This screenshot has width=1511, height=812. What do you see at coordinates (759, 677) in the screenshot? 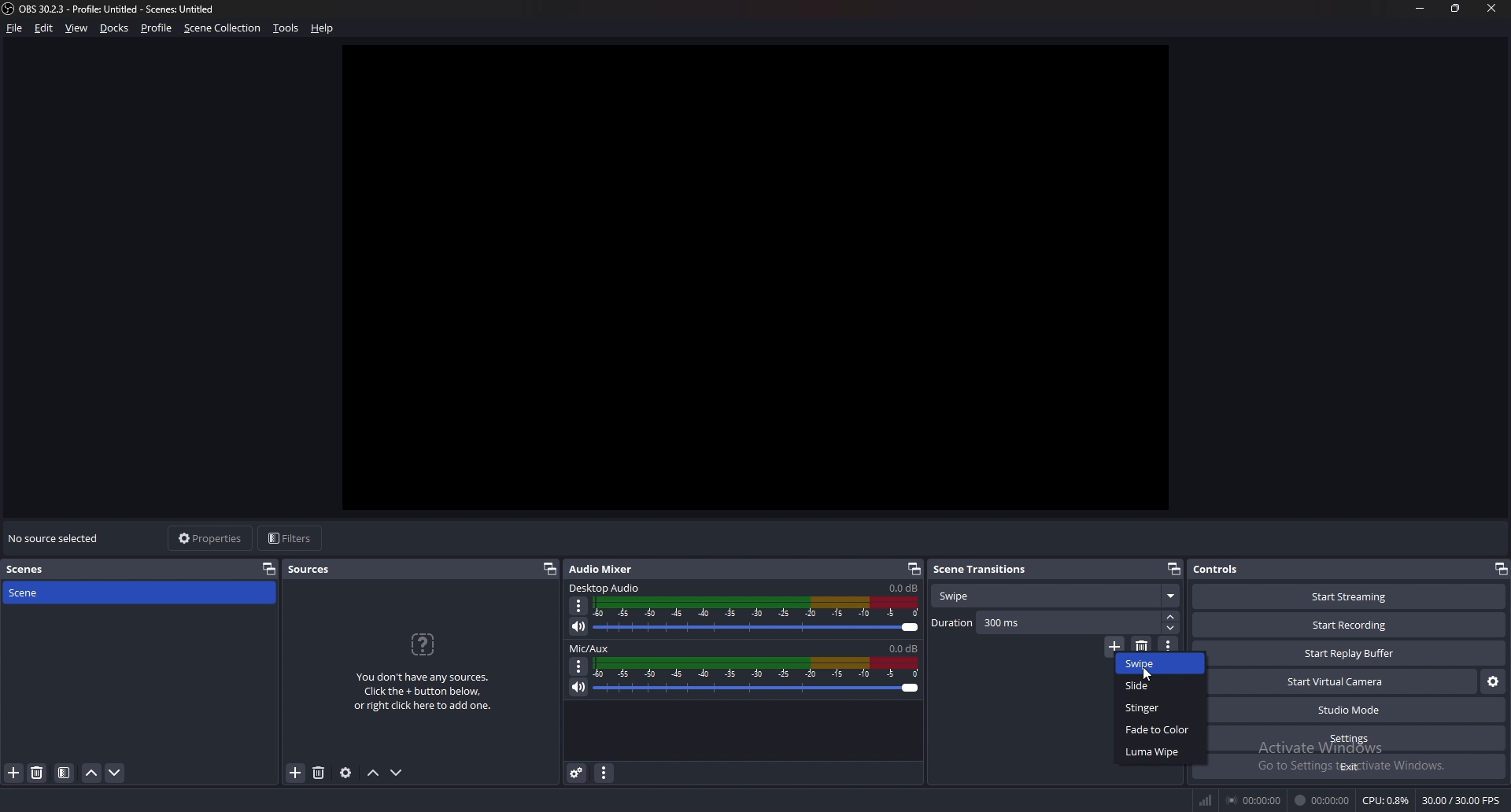
I see `volume adjust` at bounding box center [759, 677].